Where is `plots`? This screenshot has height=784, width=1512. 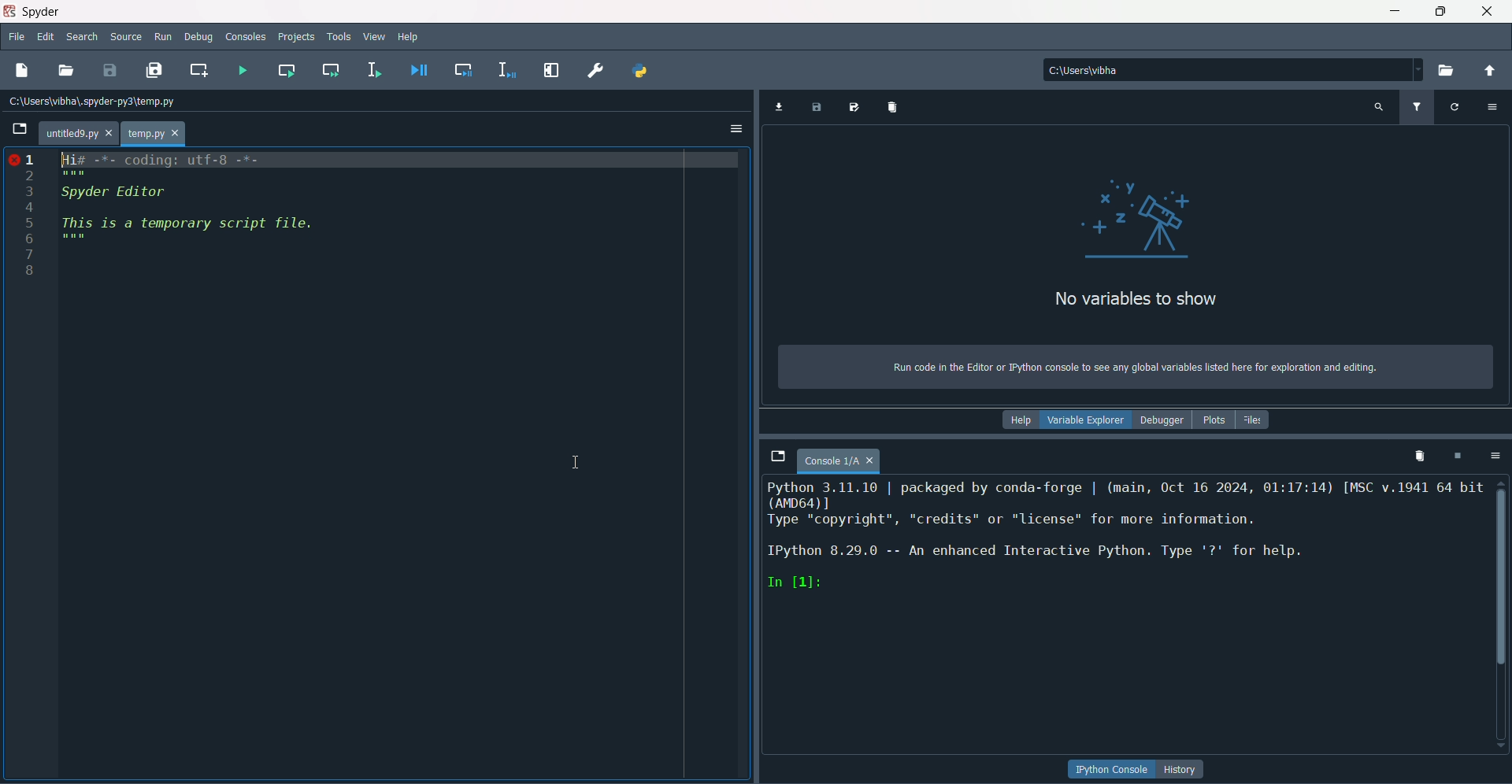
plots is located at coordinates (1214, 421).